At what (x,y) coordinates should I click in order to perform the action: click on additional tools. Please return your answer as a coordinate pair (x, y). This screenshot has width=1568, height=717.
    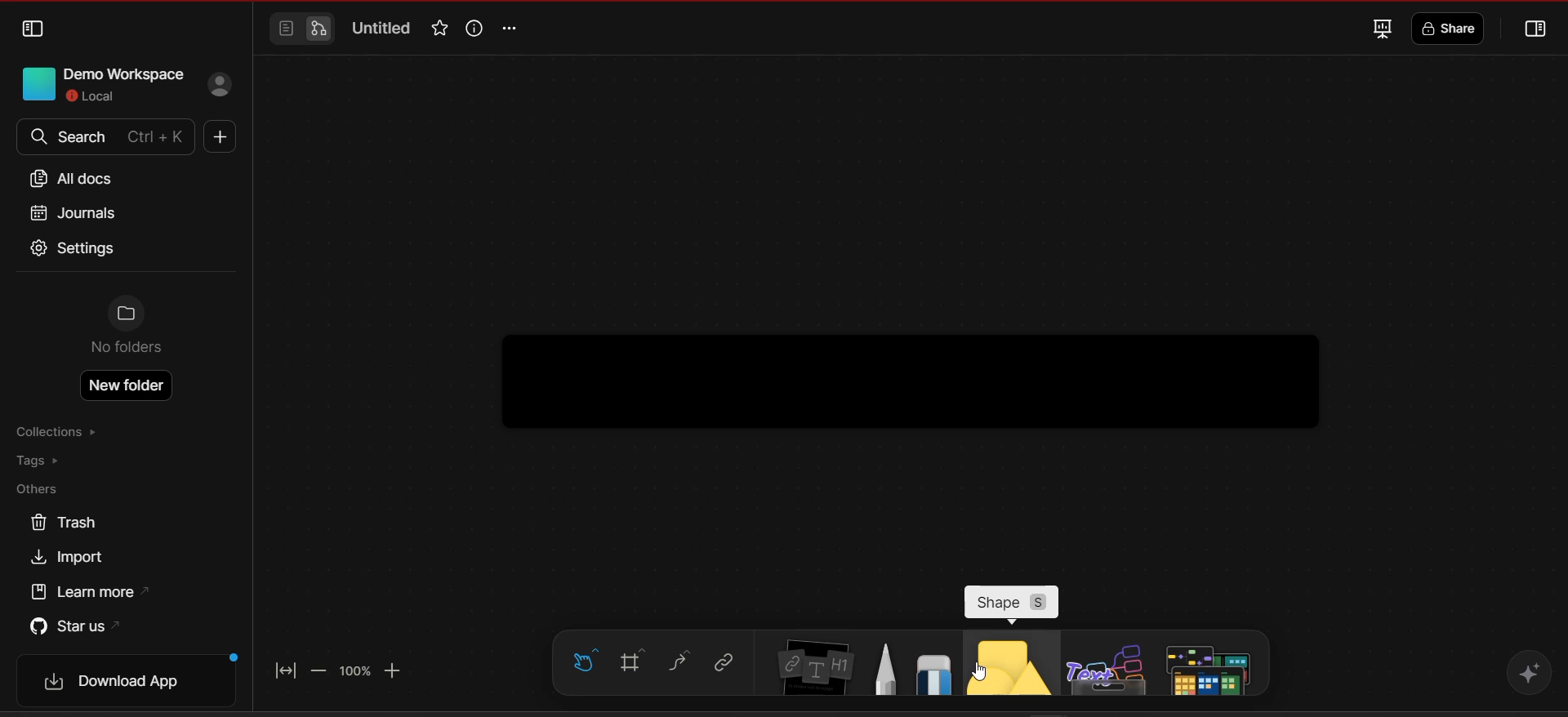
    Looking at the image, I should click on (1211, 668).